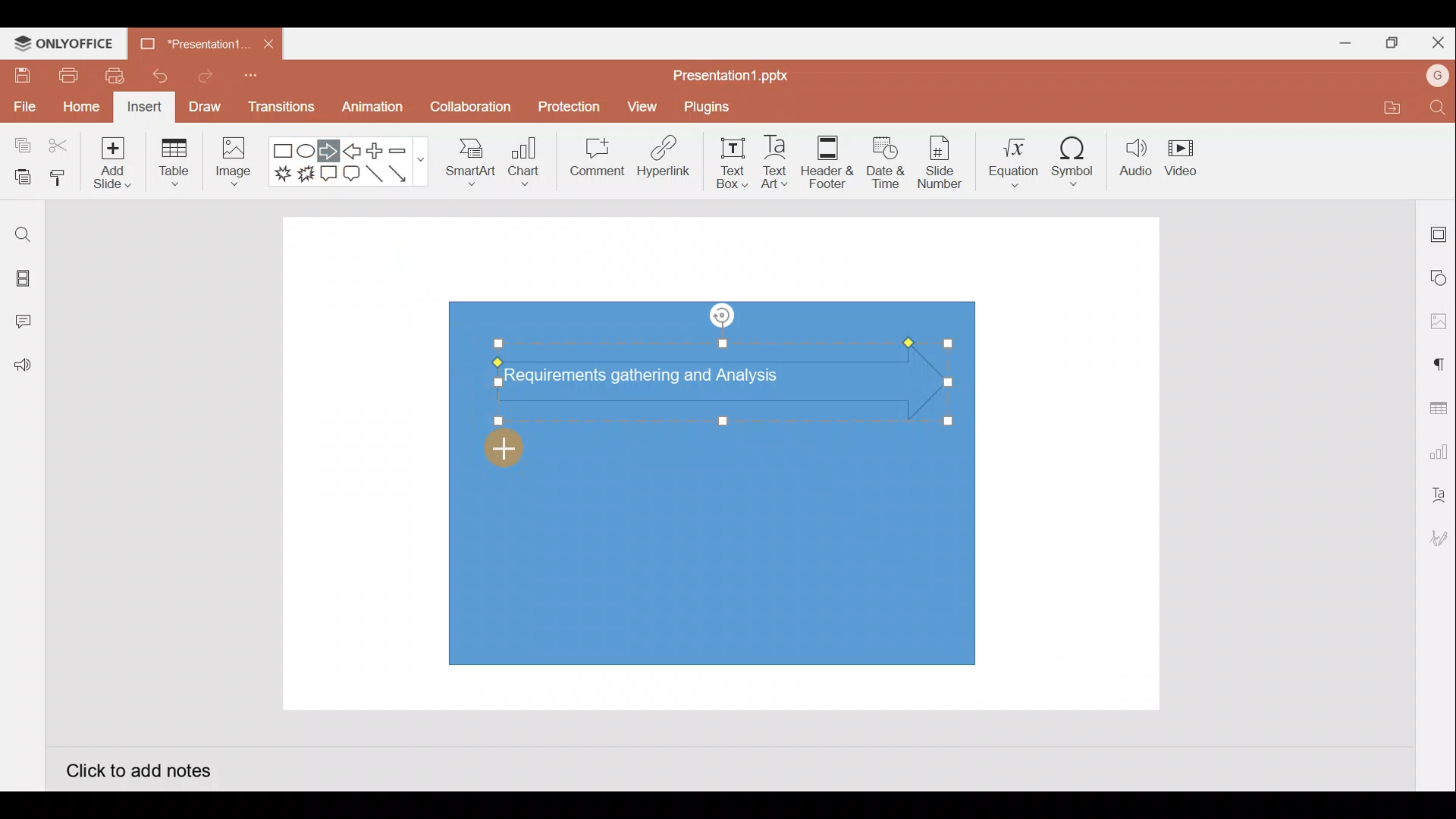  What do you see at coordinates (1136, 158) in the screenshot?
I see `Audio` at bounding box center [1136, 158].